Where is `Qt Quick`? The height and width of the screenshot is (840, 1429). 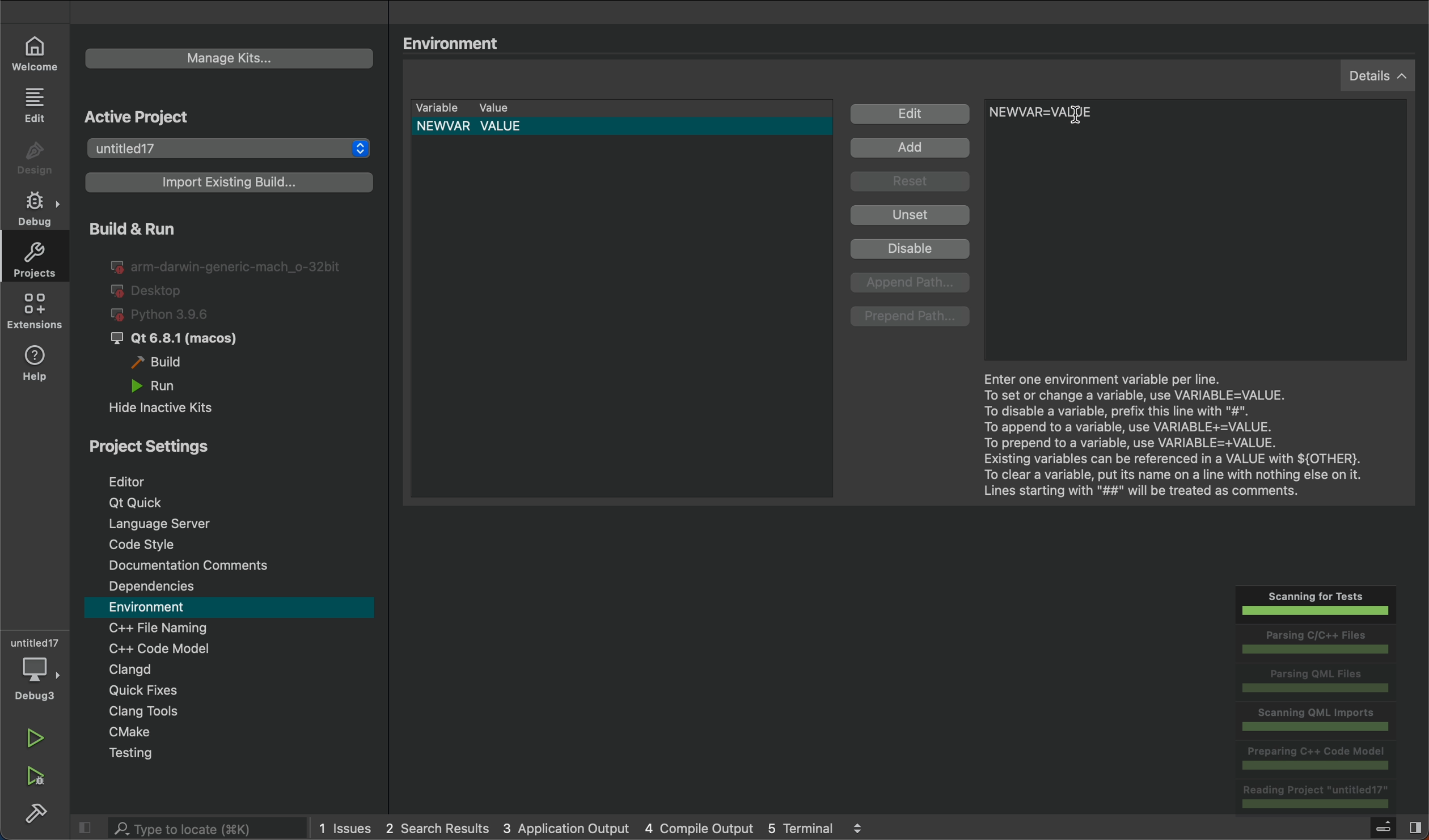 Qt Quick is located at coordinates (238, 503).